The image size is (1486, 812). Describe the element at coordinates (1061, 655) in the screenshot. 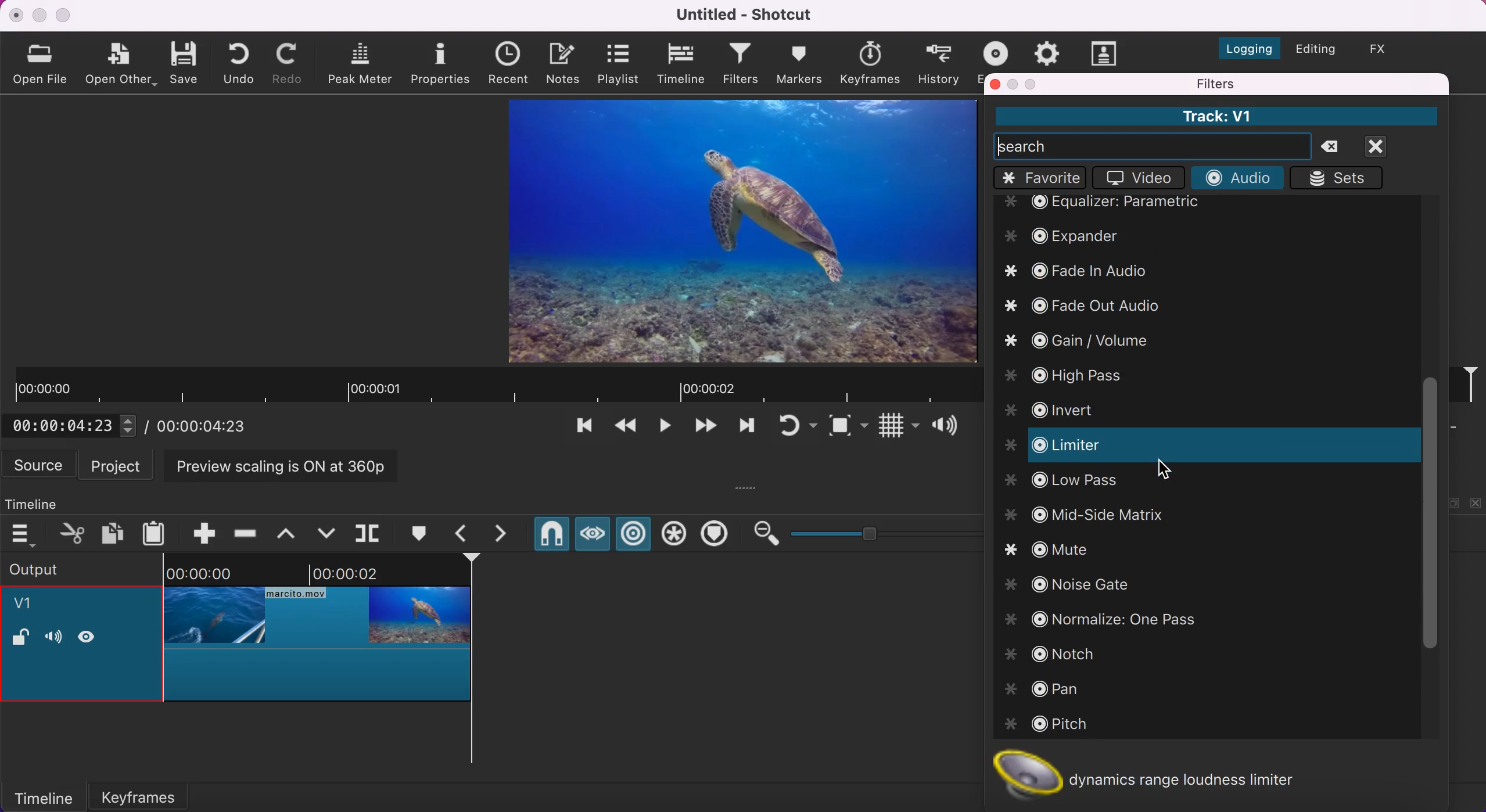

I see `notch` at that location.